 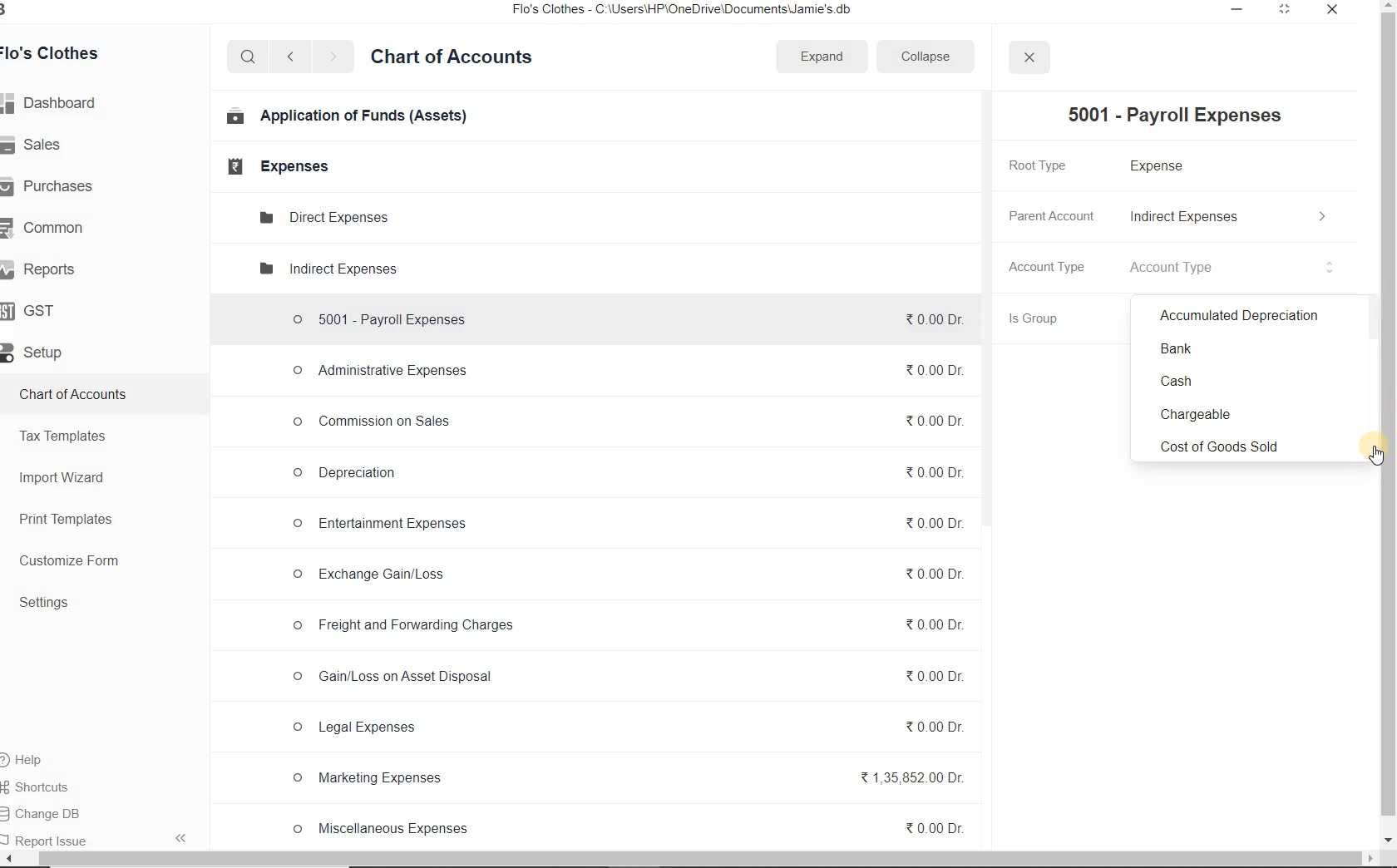 What do you see at coordinates (65, 477) in the screenshot?
I see `Import Wizard` at bounding box center [65, 477].